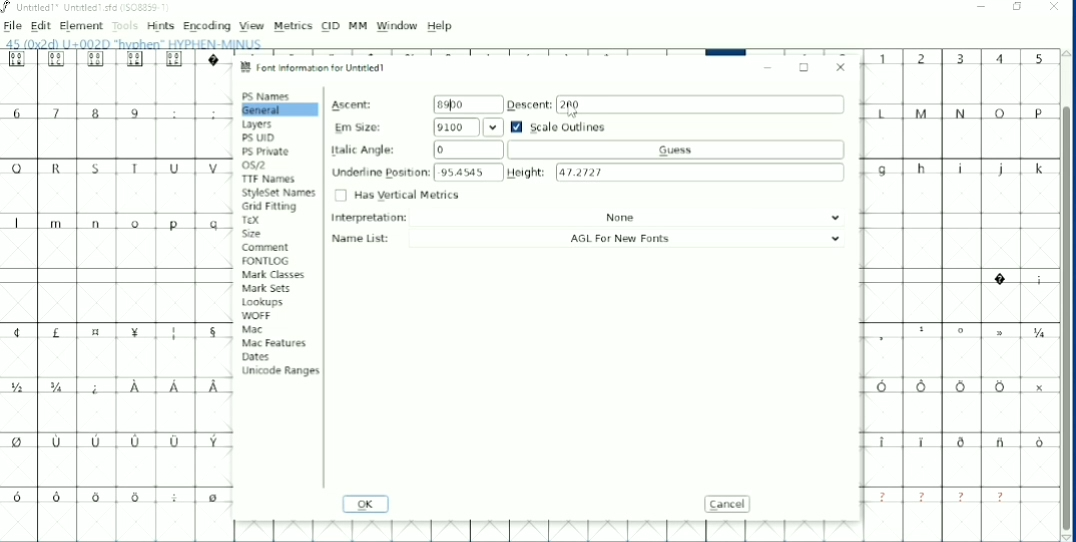  Describe the element at coordinates (252, 330) in the screenshot. I see `Mac` at that location.